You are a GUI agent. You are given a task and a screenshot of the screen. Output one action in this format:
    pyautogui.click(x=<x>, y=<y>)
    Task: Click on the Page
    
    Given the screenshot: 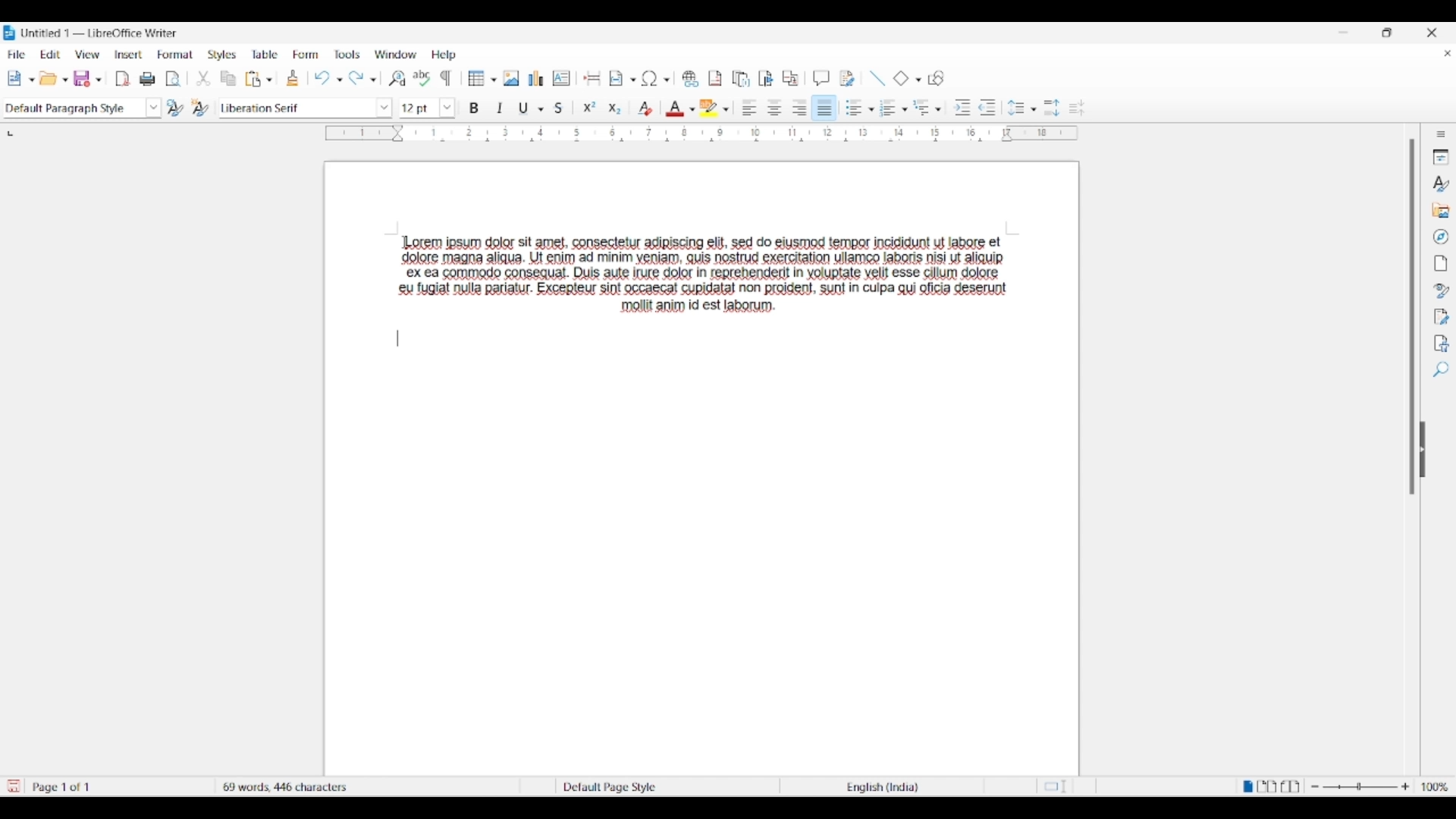 What is the action you would take?
    pyautogui.click(x=1440, y=263)
    